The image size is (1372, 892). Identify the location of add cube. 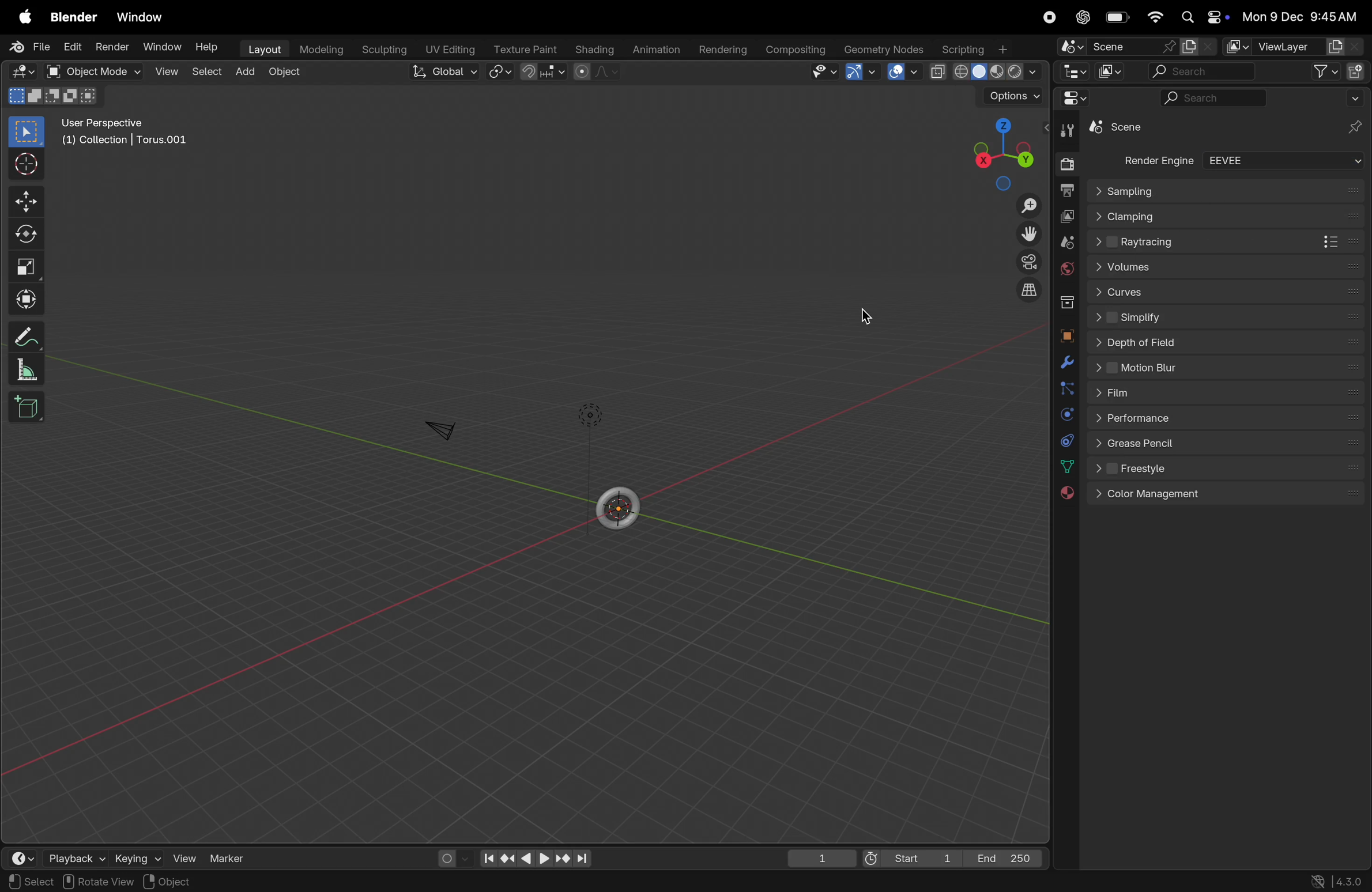
(31, 409).